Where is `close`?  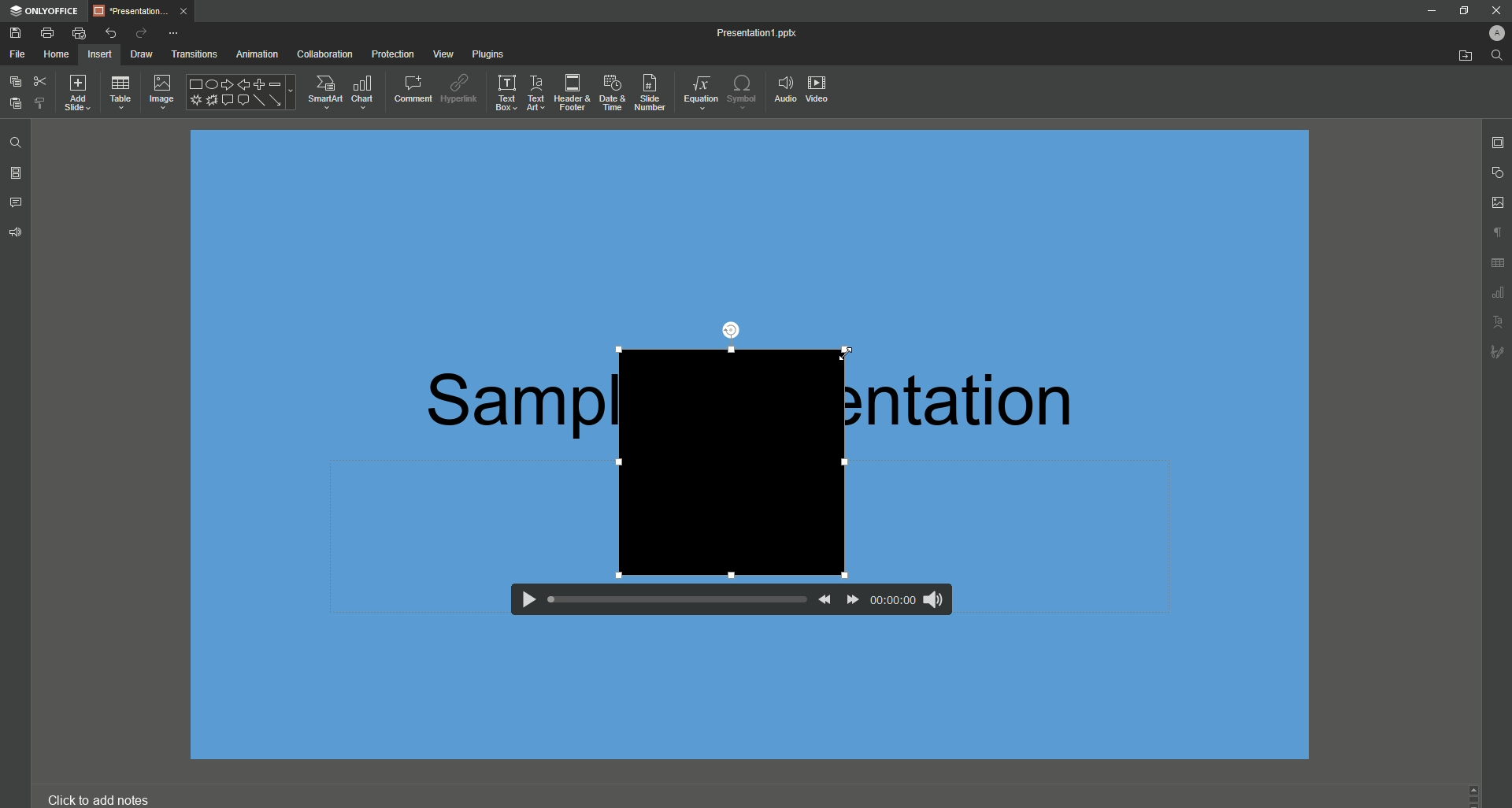
close is located at coordinates (1498, 11).